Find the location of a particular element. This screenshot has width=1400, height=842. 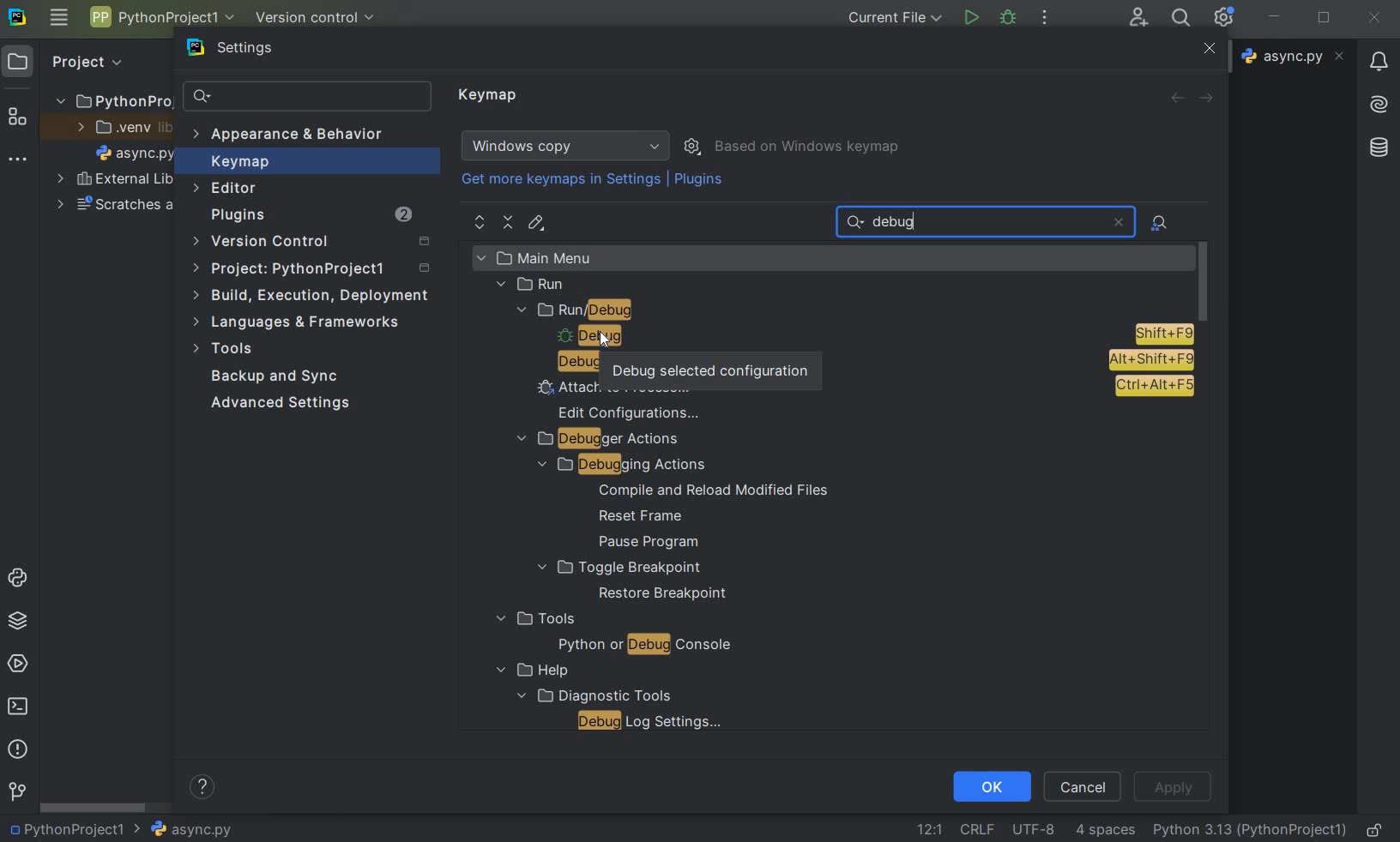

keymap is located at coordinates (238, 164).